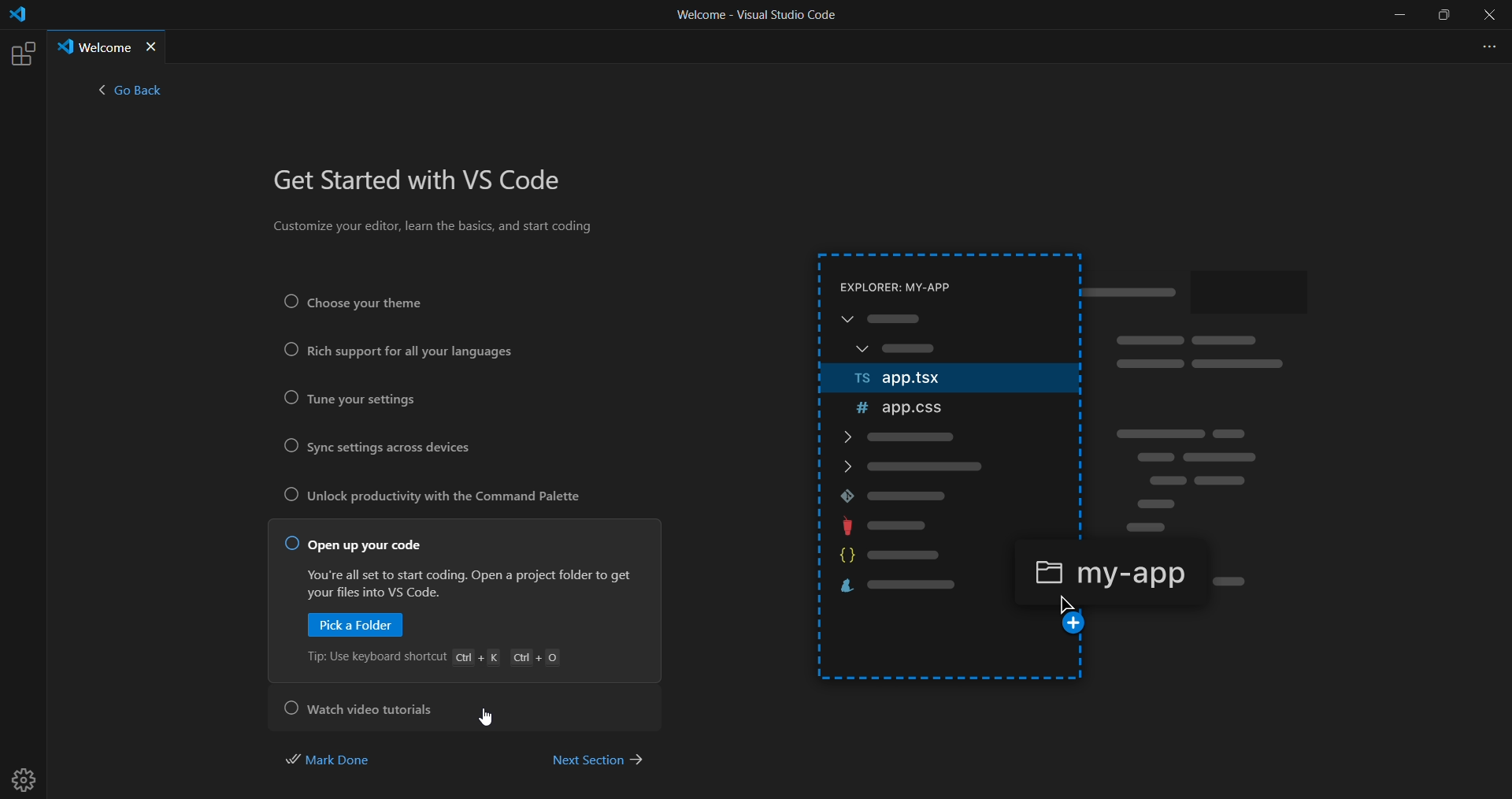 The height and width of the screenshot is (799, 1512). Describe the element at coordinates (356, 544) in the screenshot. I see `open up your code` at that location.